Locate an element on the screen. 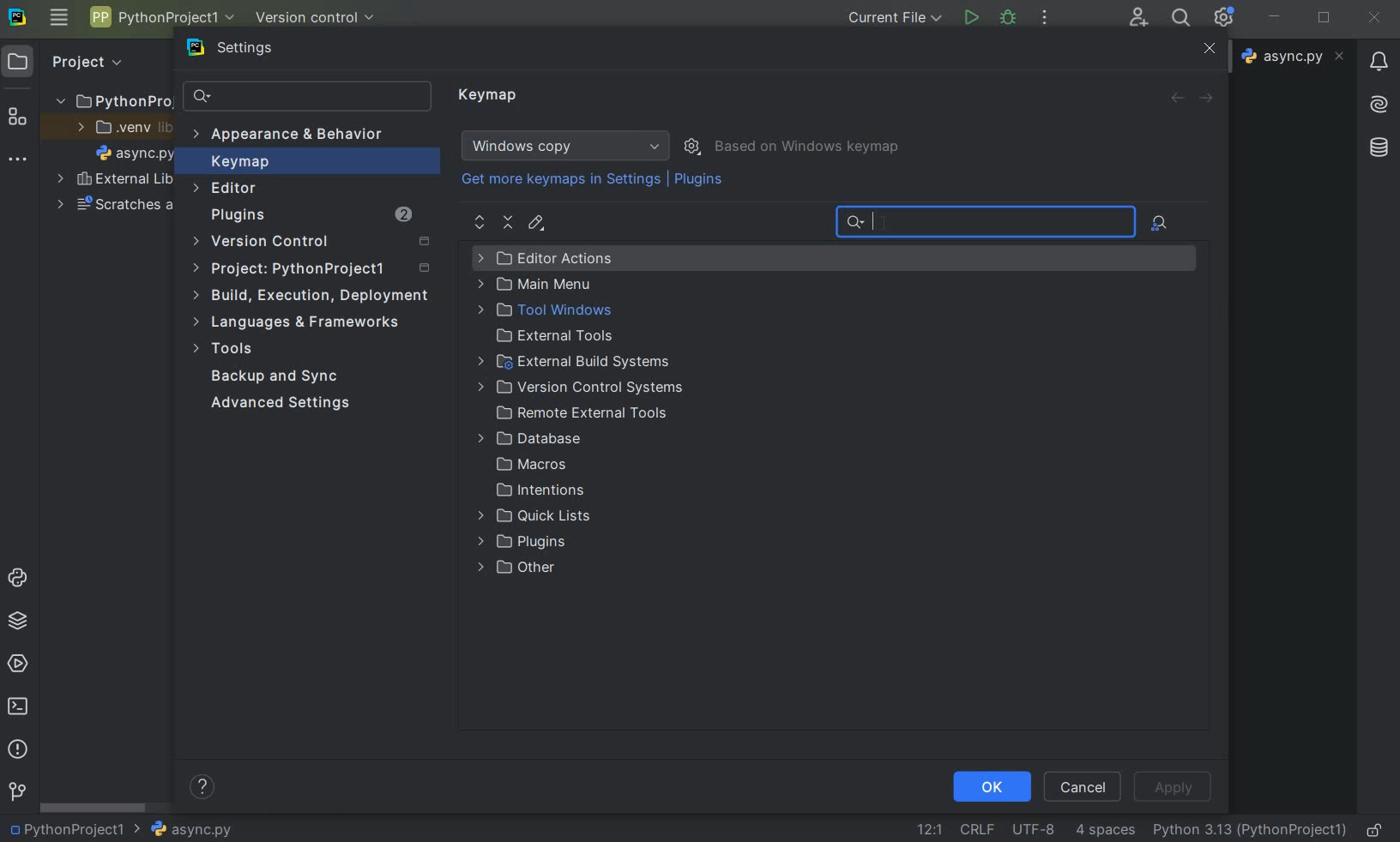  more actions is located at coordinates (1044, 19).